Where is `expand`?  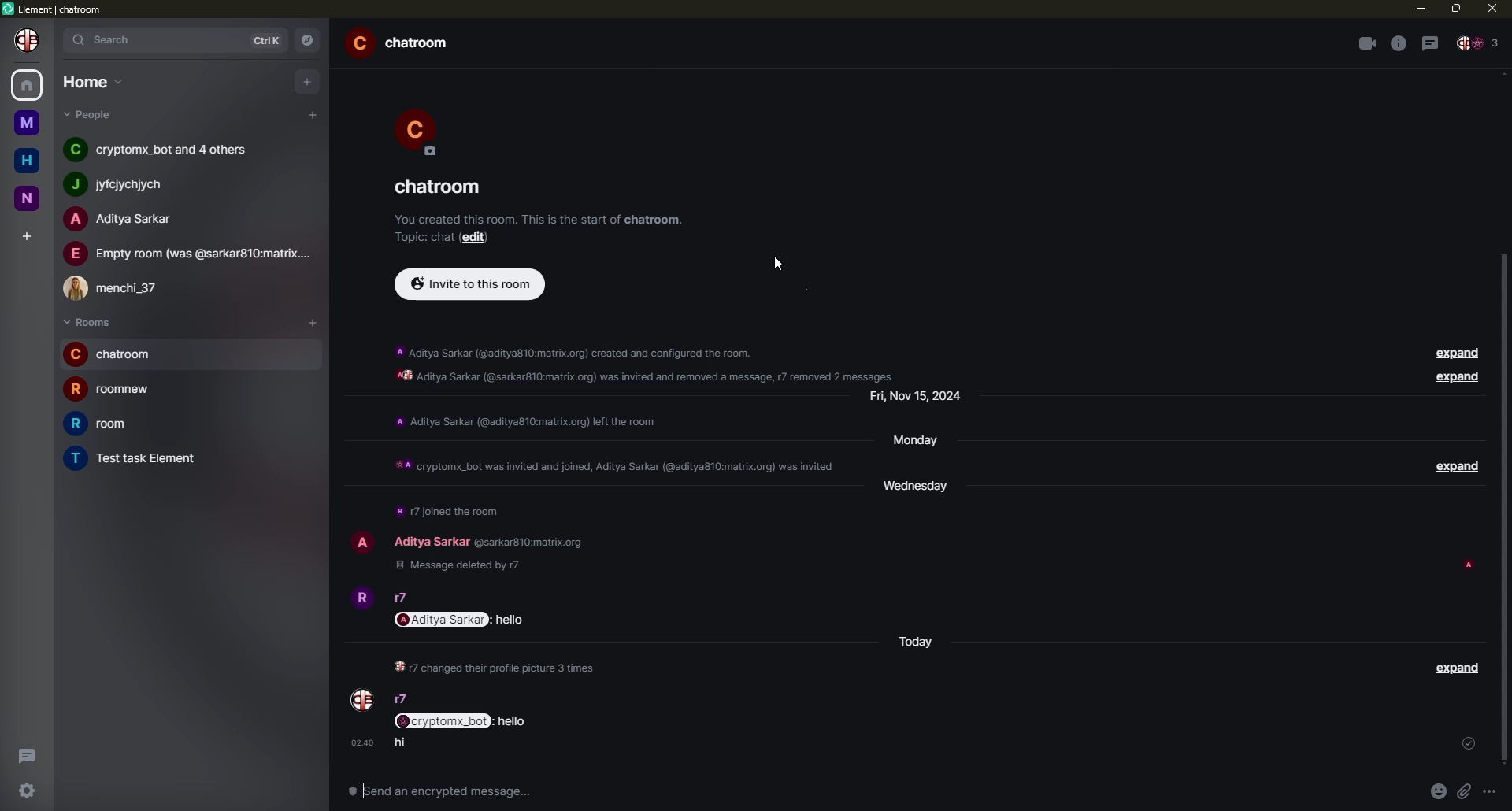
expand is located at coordinates (1460, 378).